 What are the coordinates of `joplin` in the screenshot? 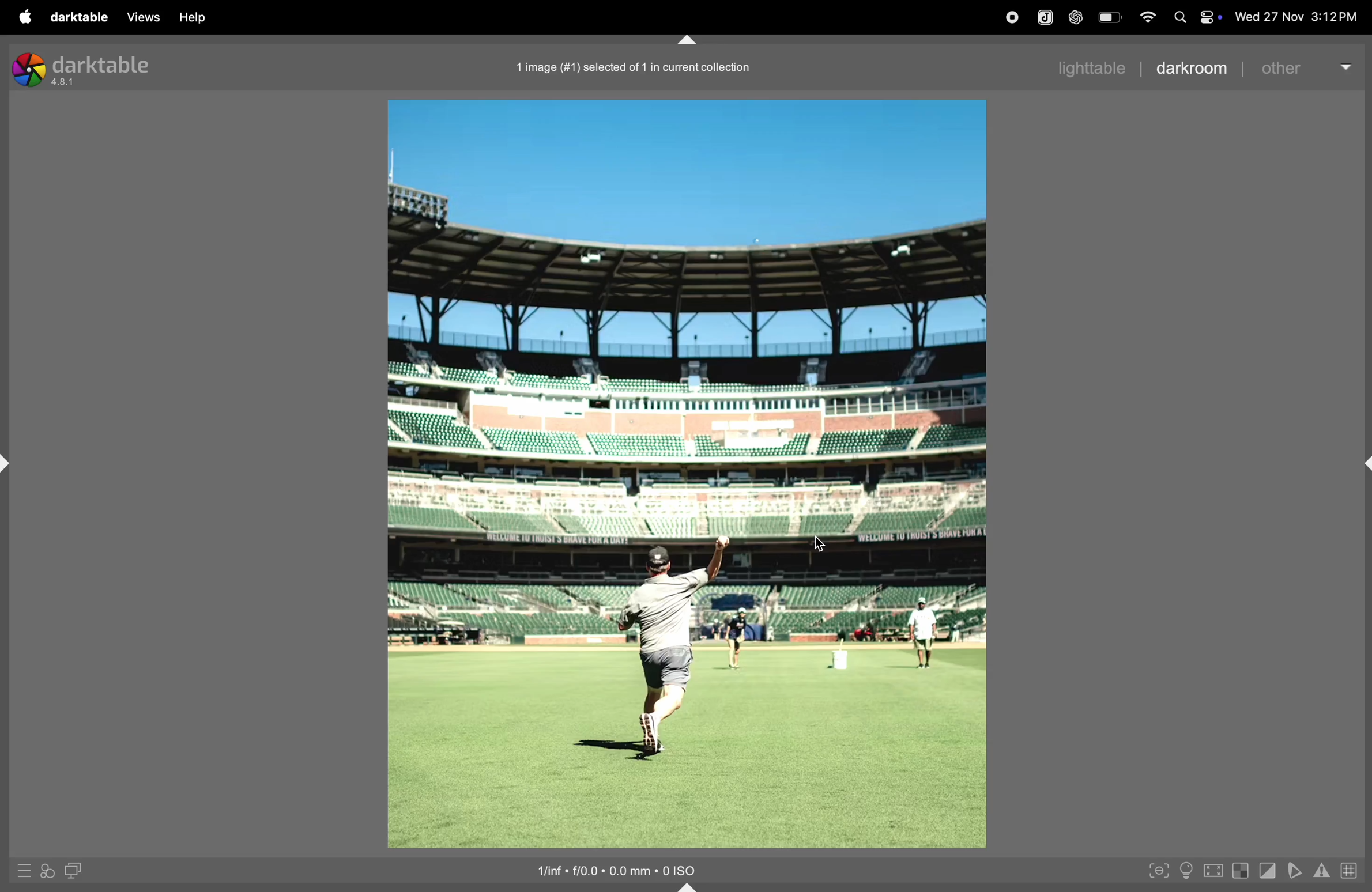 It's located at (1046, 17).